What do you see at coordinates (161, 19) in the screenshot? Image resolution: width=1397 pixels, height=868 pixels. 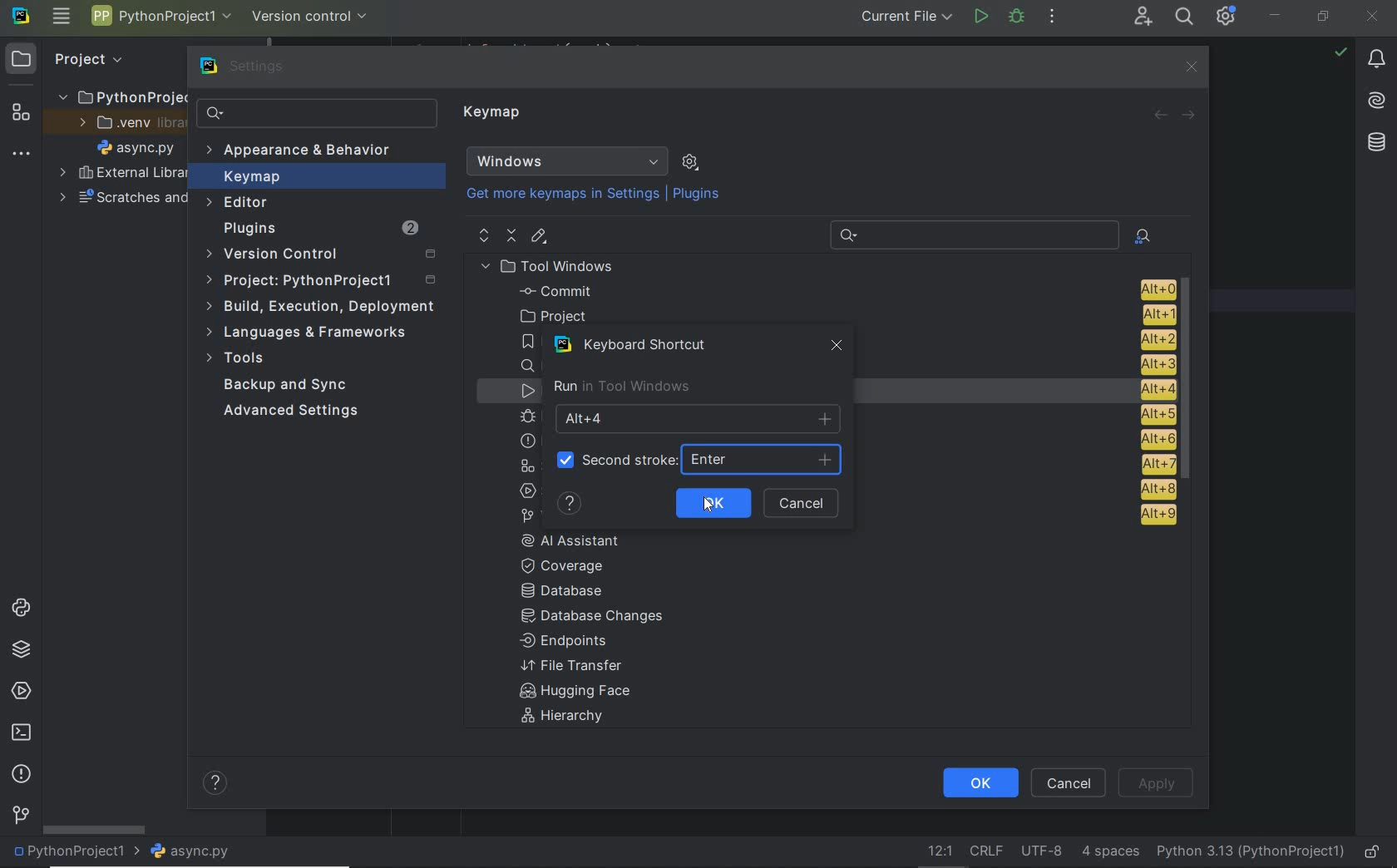 I see `Project name` at bounding box center [161, 19].